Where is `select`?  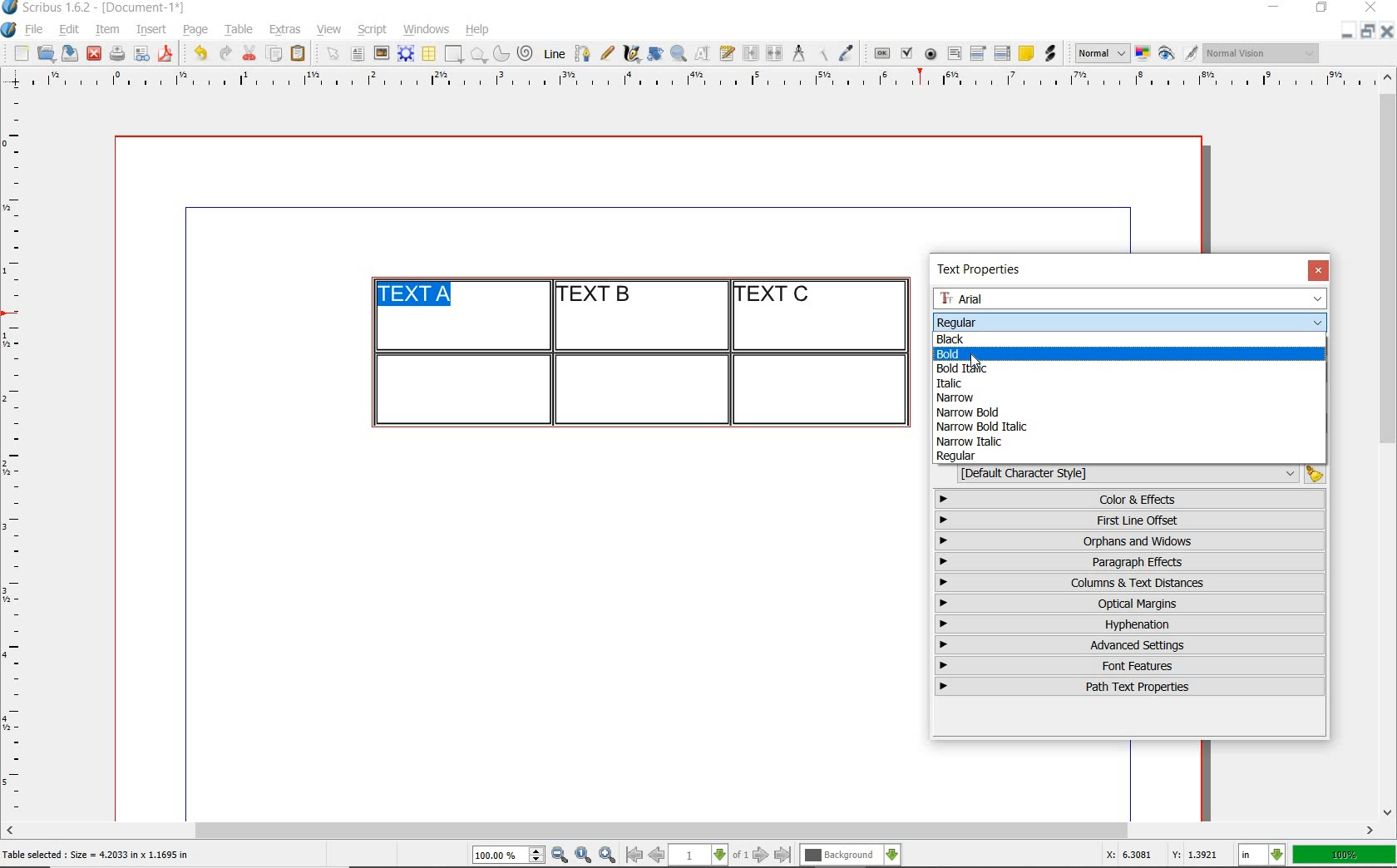 select is located at coordinates (334, 55).